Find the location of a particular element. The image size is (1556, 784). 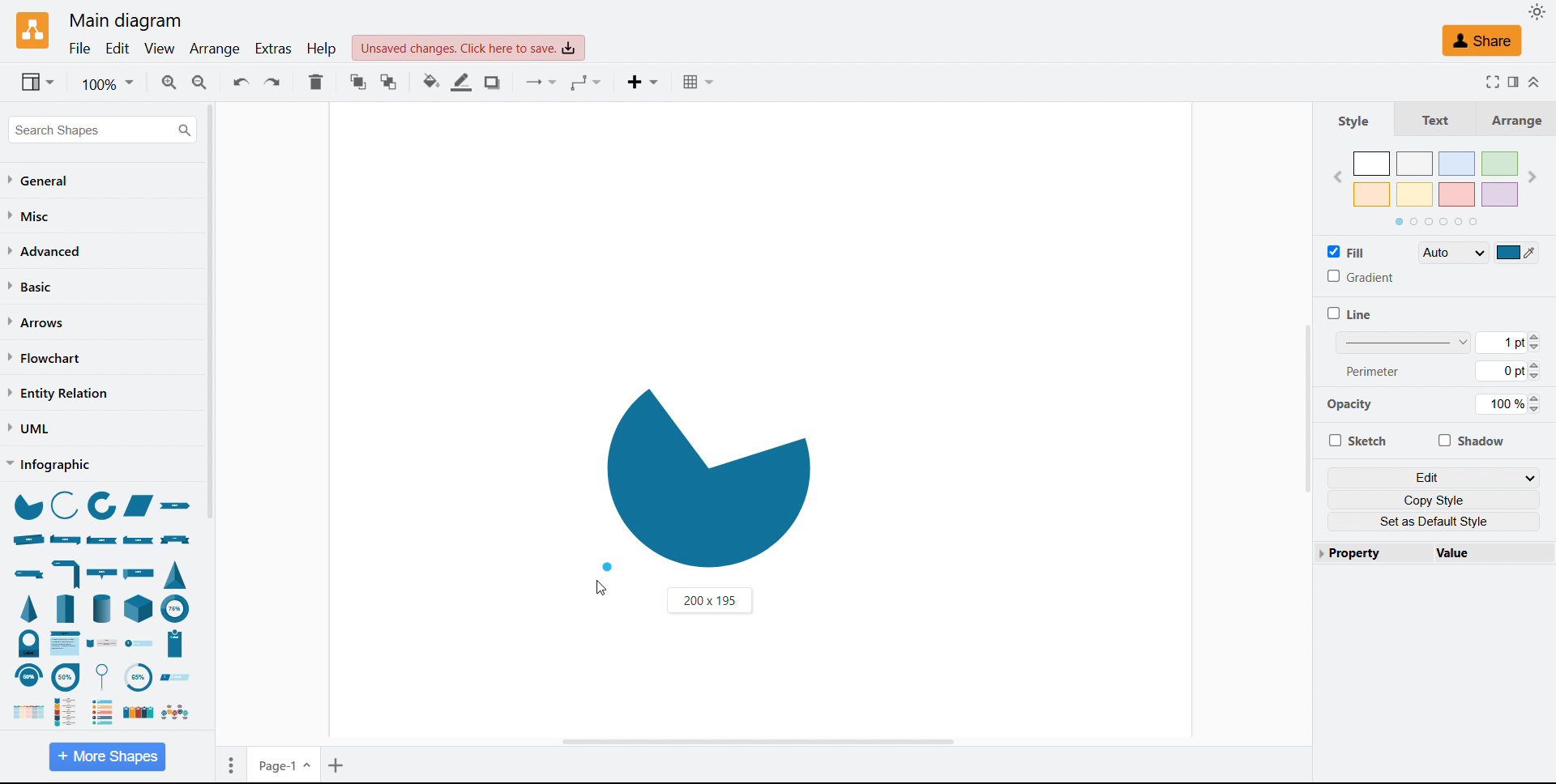

perimeter is located at coordinates (1374, 370).